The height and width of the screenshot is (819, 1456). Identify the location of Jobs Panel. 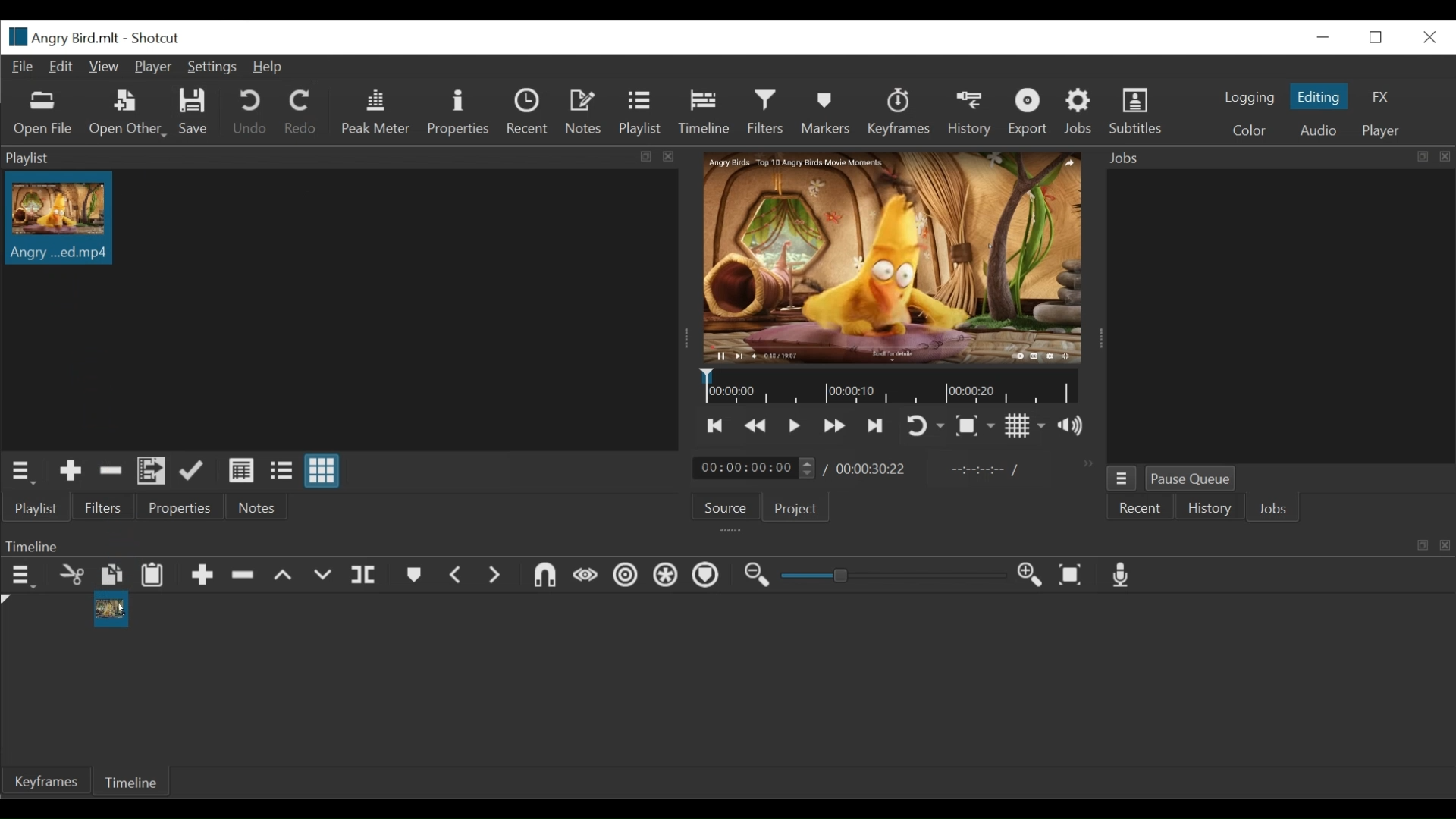
(1279, 158).